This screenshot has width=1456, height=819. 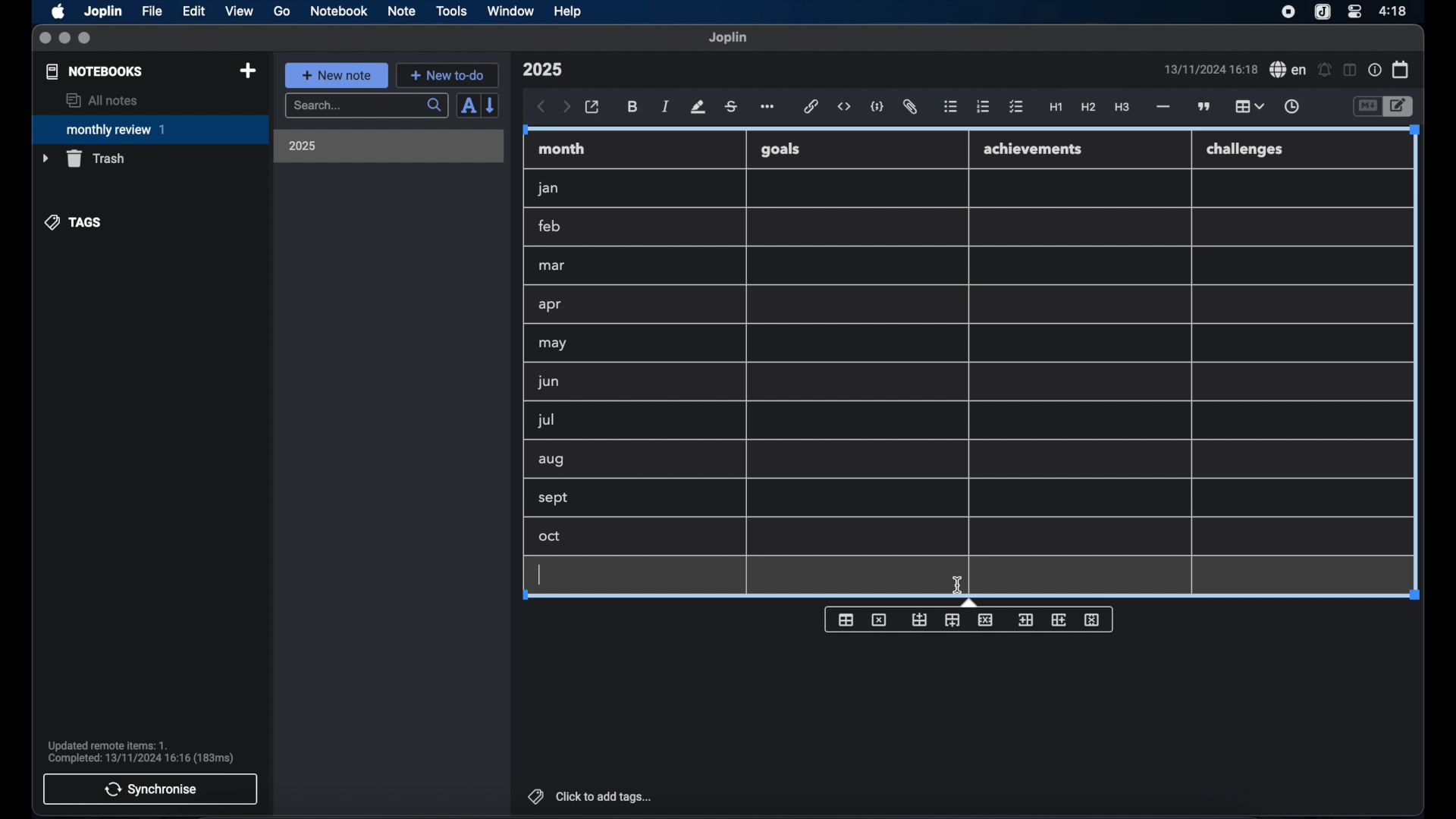 I want to click on apple icon, so click(x=57, y=11).